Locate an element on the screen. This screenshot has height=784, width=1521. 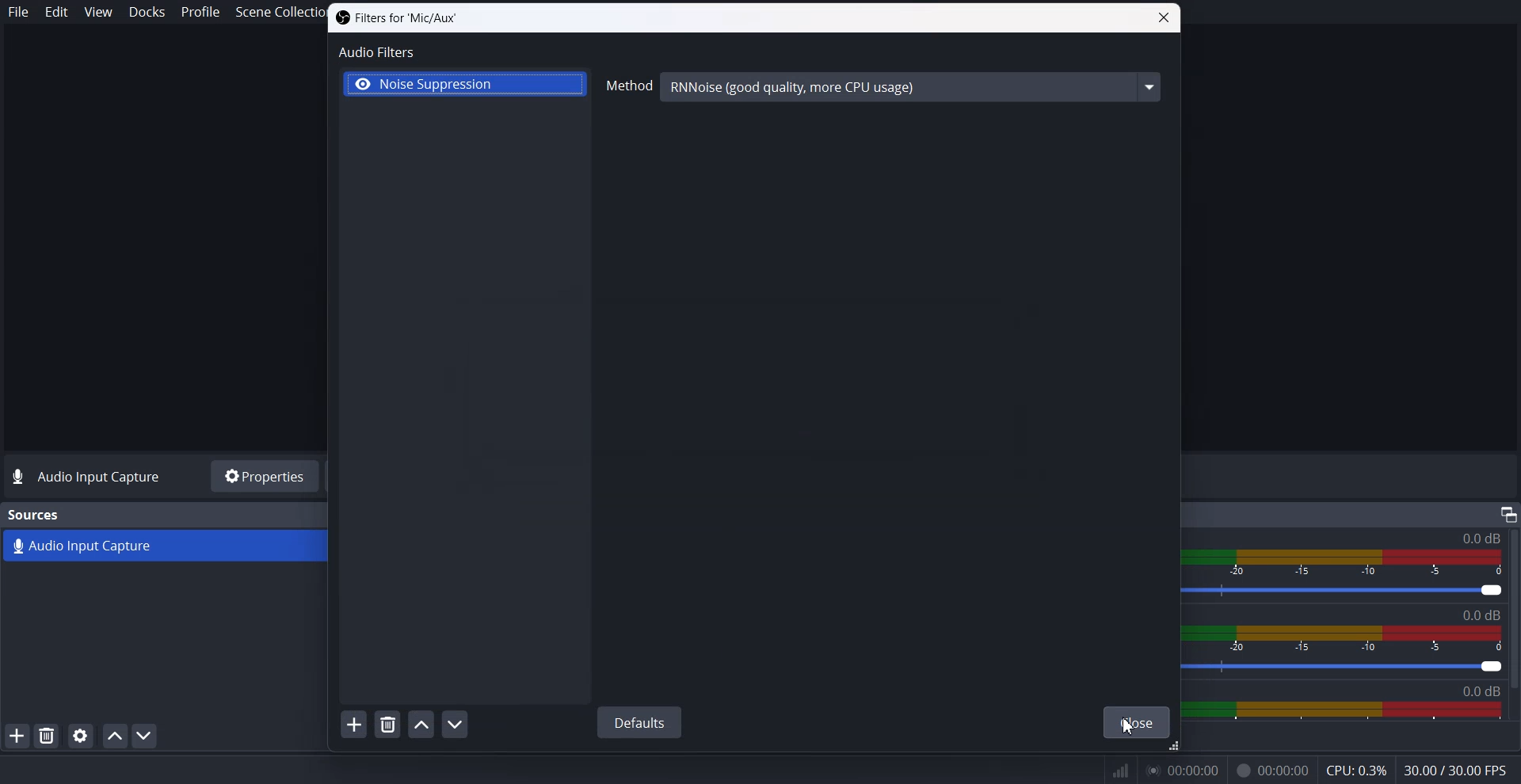
0.00 is located at coordinates (1188, 774).